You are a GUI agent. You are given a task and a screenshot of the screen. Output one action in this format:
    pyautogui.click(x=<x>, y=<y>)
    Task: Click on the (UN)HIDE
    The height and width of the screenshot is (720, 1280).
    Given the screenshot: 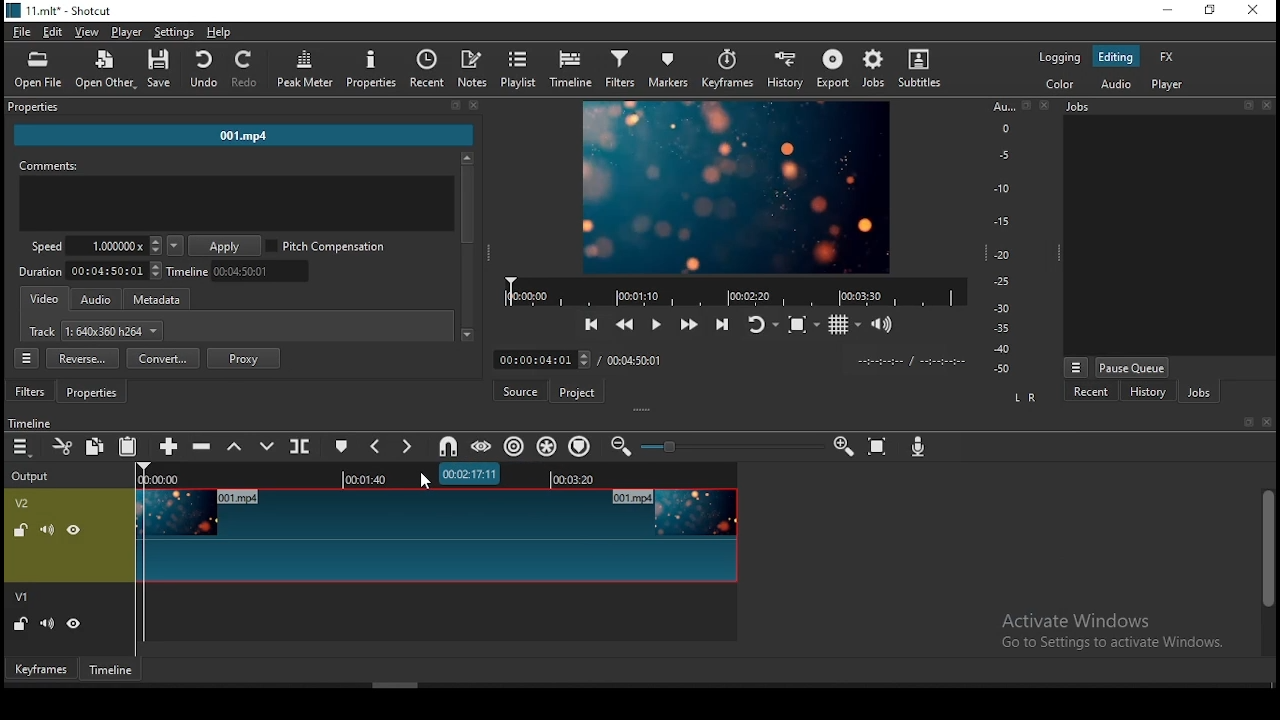 What is the action you would take?
    pyautogui.click(x=75, y=626)
    